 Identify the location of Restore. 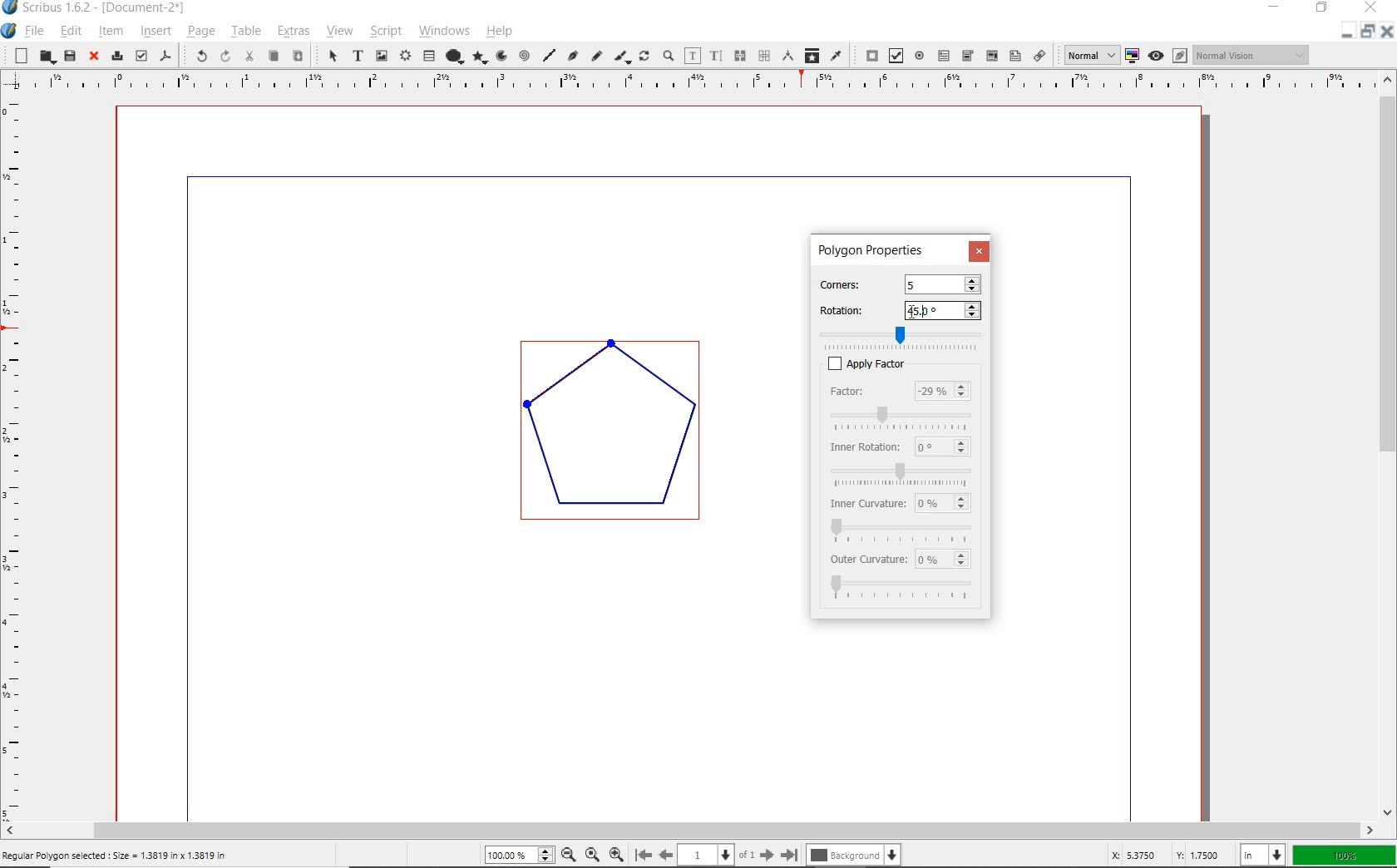
(1366, 33).